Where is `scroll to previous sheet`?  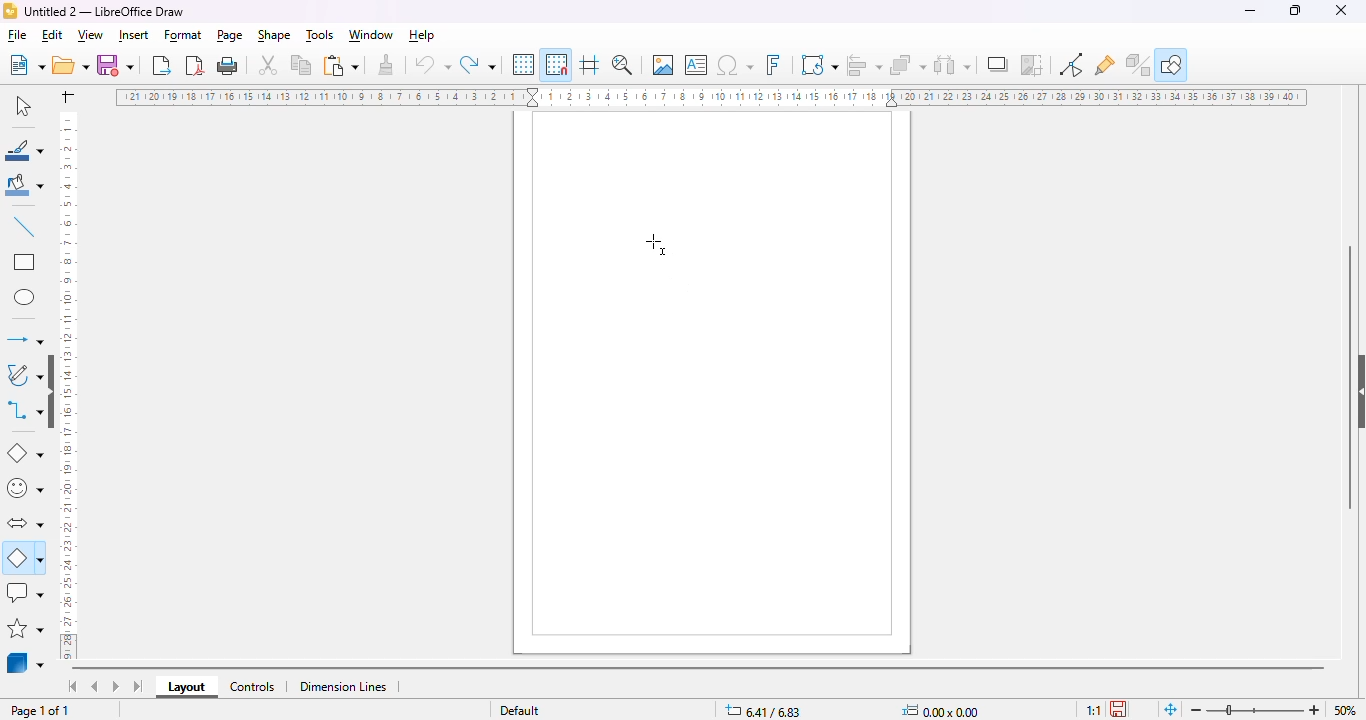 scroll to previous sheet is located at coordinates (97, 686).